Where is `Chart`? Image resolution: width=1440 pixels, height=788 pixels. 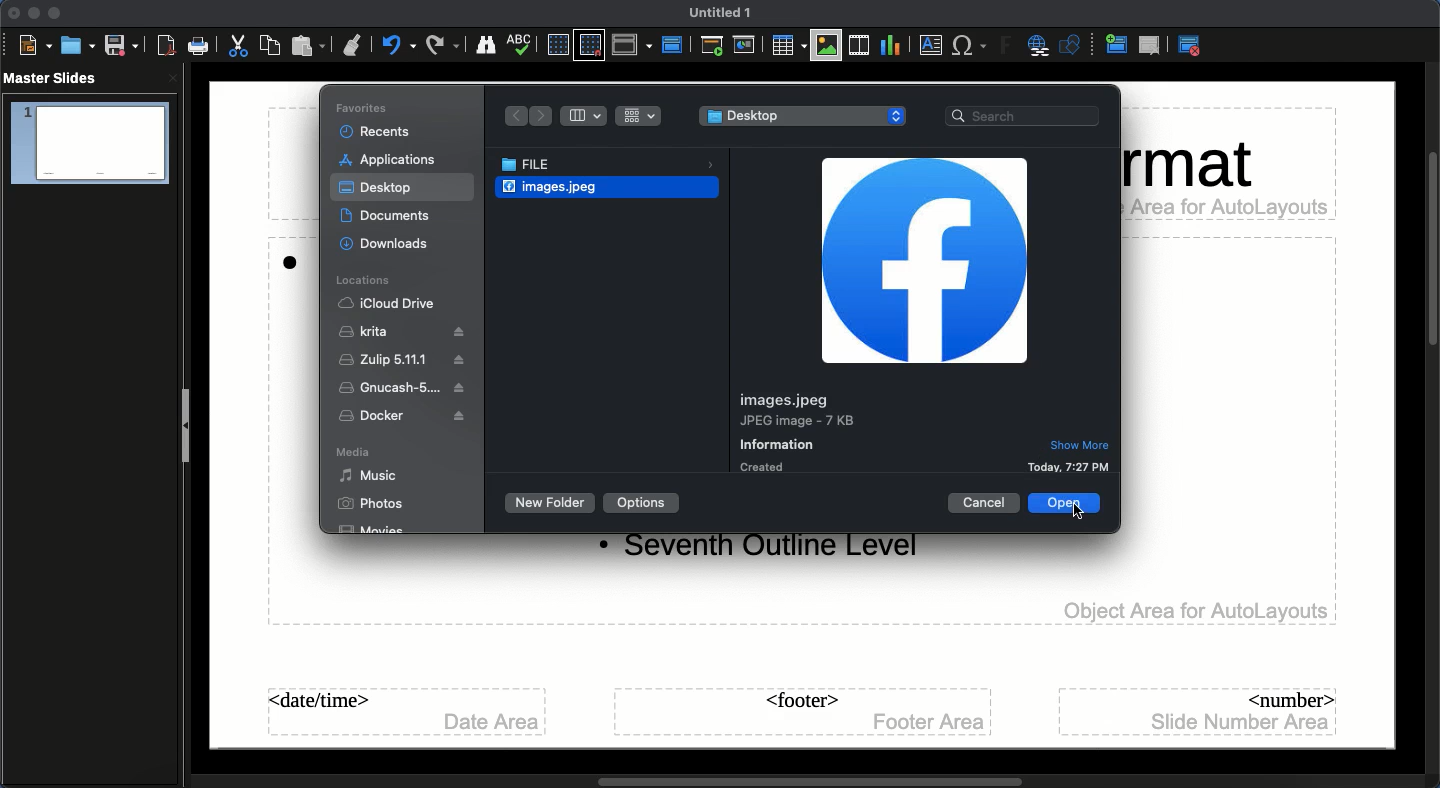 Chart is located at coordinates (888, 47).